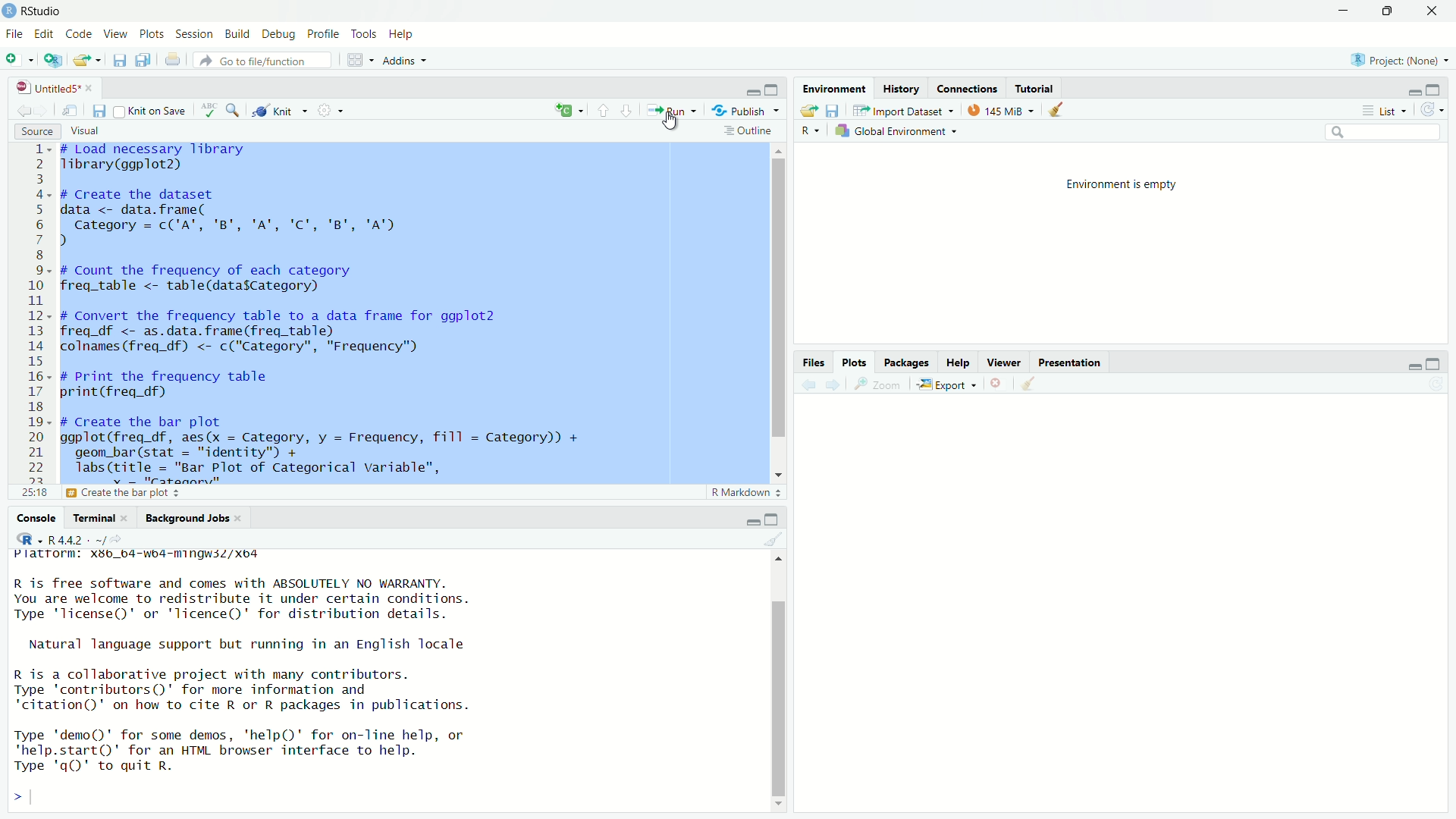 Image resolution: width=1456 pixels, height=819 pixels. I want to click on Create the bar plot, so click(164, 493).